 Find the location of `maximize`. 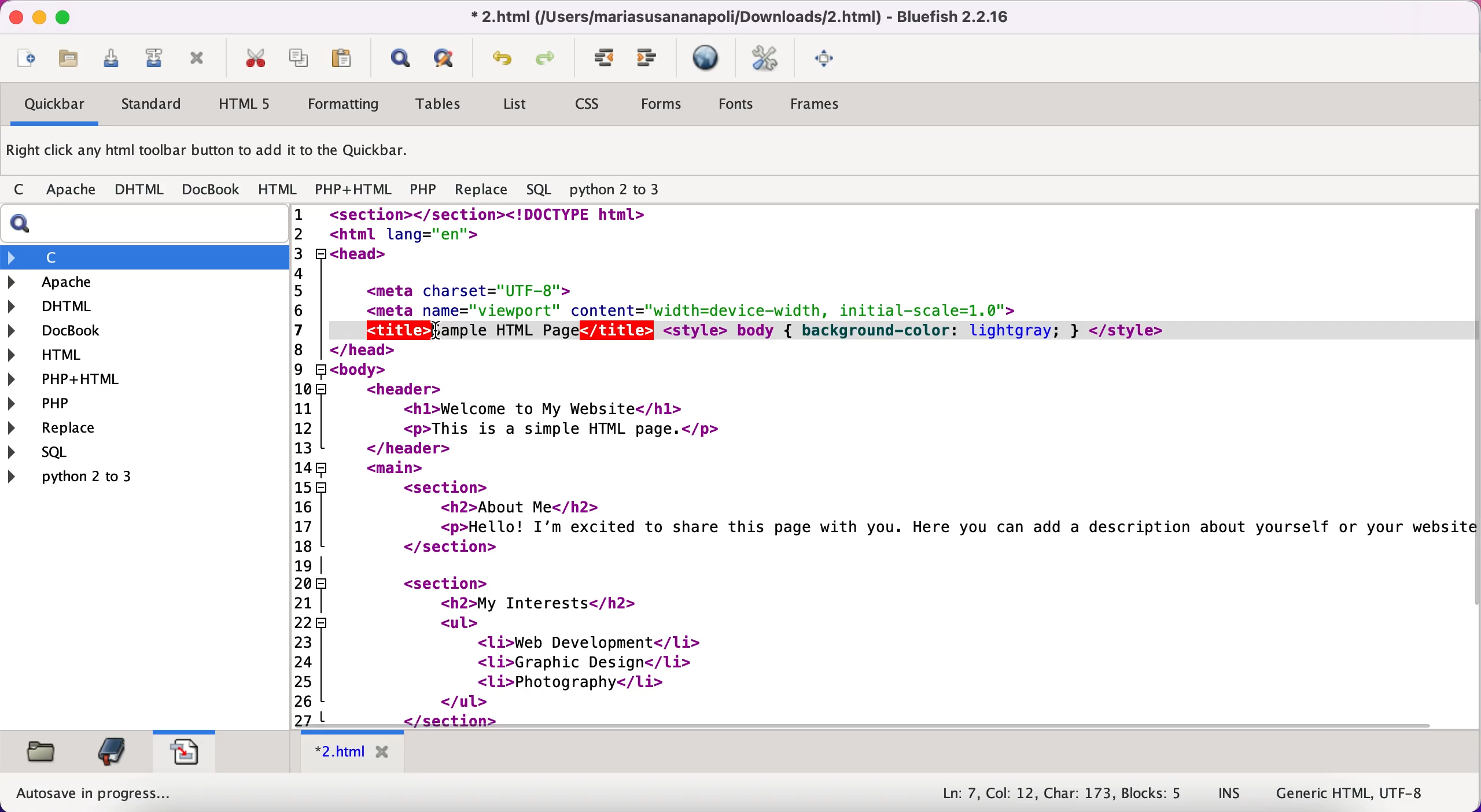

maximize is located at coordinates (63, 16).